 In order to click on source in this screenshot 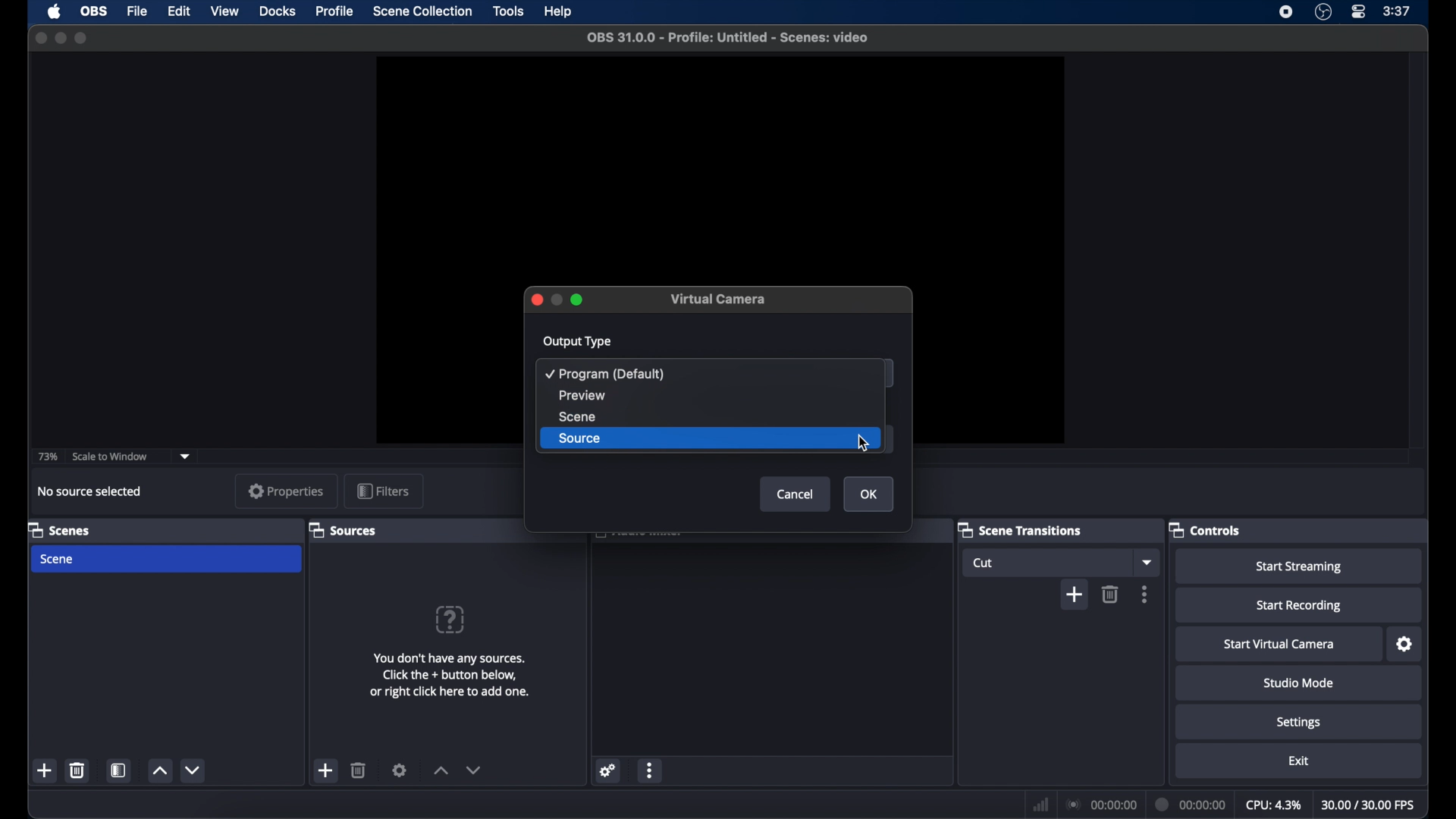, I will do `click(579, 438)`.